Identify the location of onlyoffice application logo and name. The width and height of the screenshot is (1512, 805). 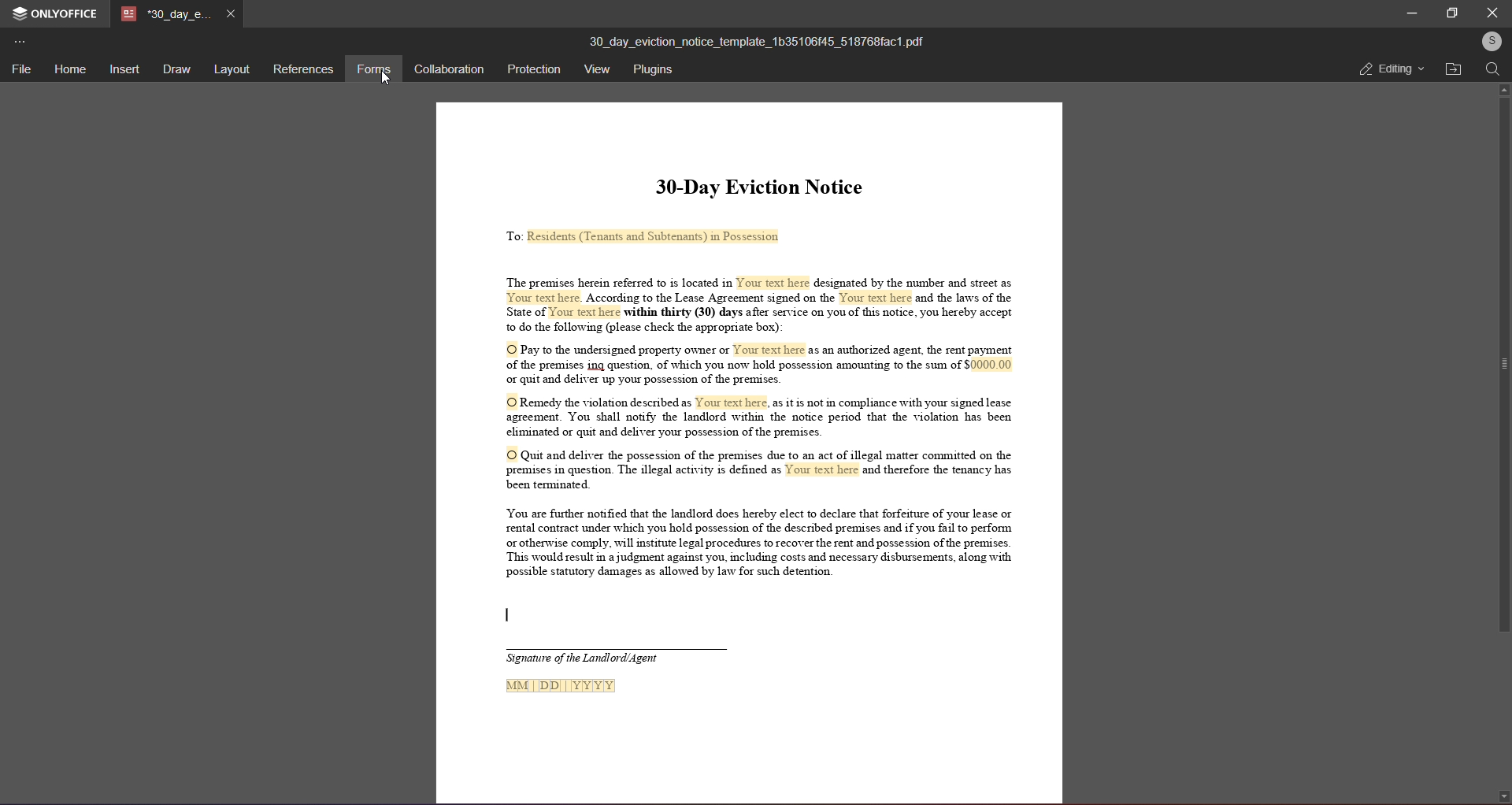
(54, 13).